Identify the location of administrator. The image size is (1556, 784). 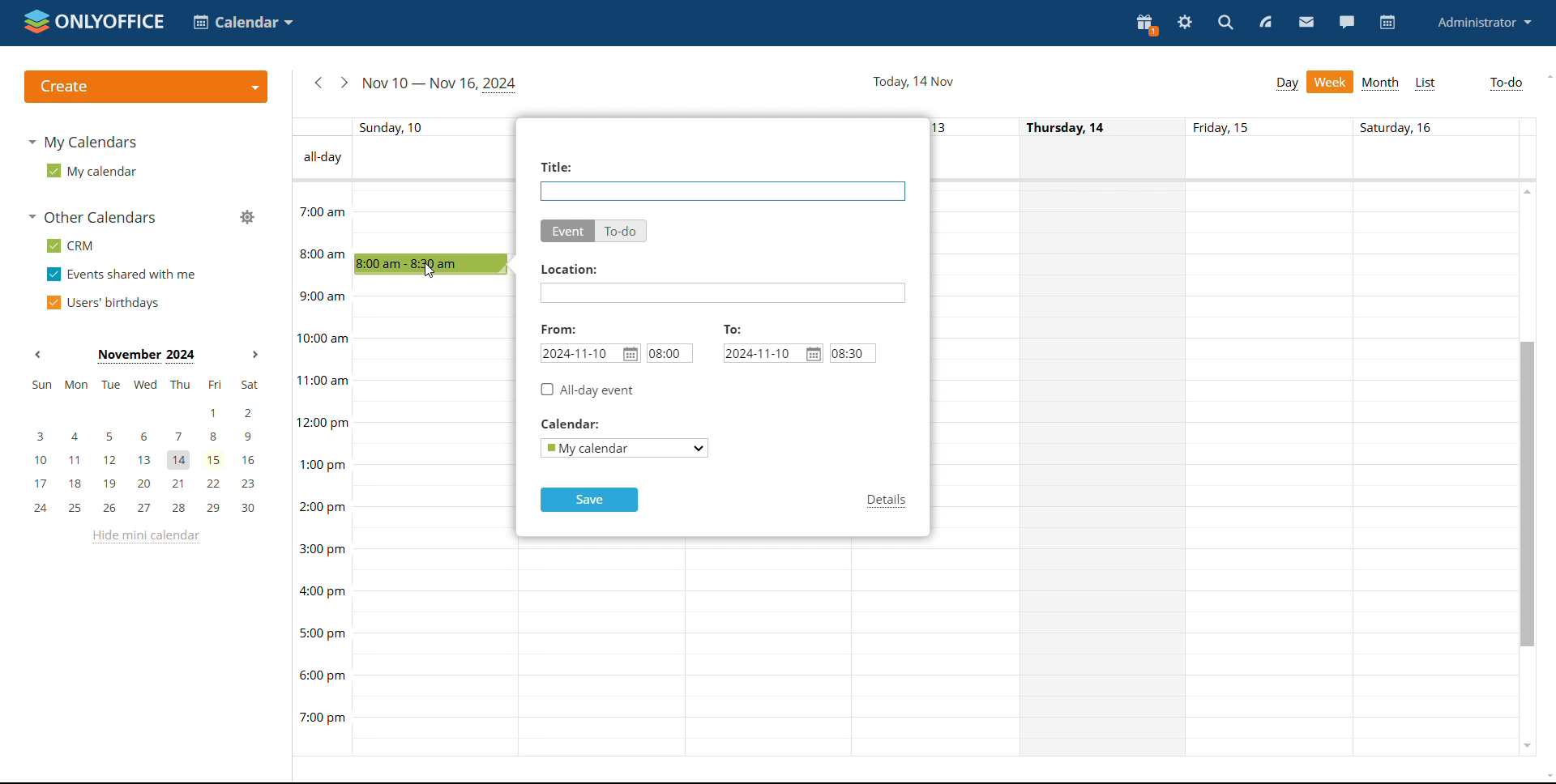
(1483, 21).